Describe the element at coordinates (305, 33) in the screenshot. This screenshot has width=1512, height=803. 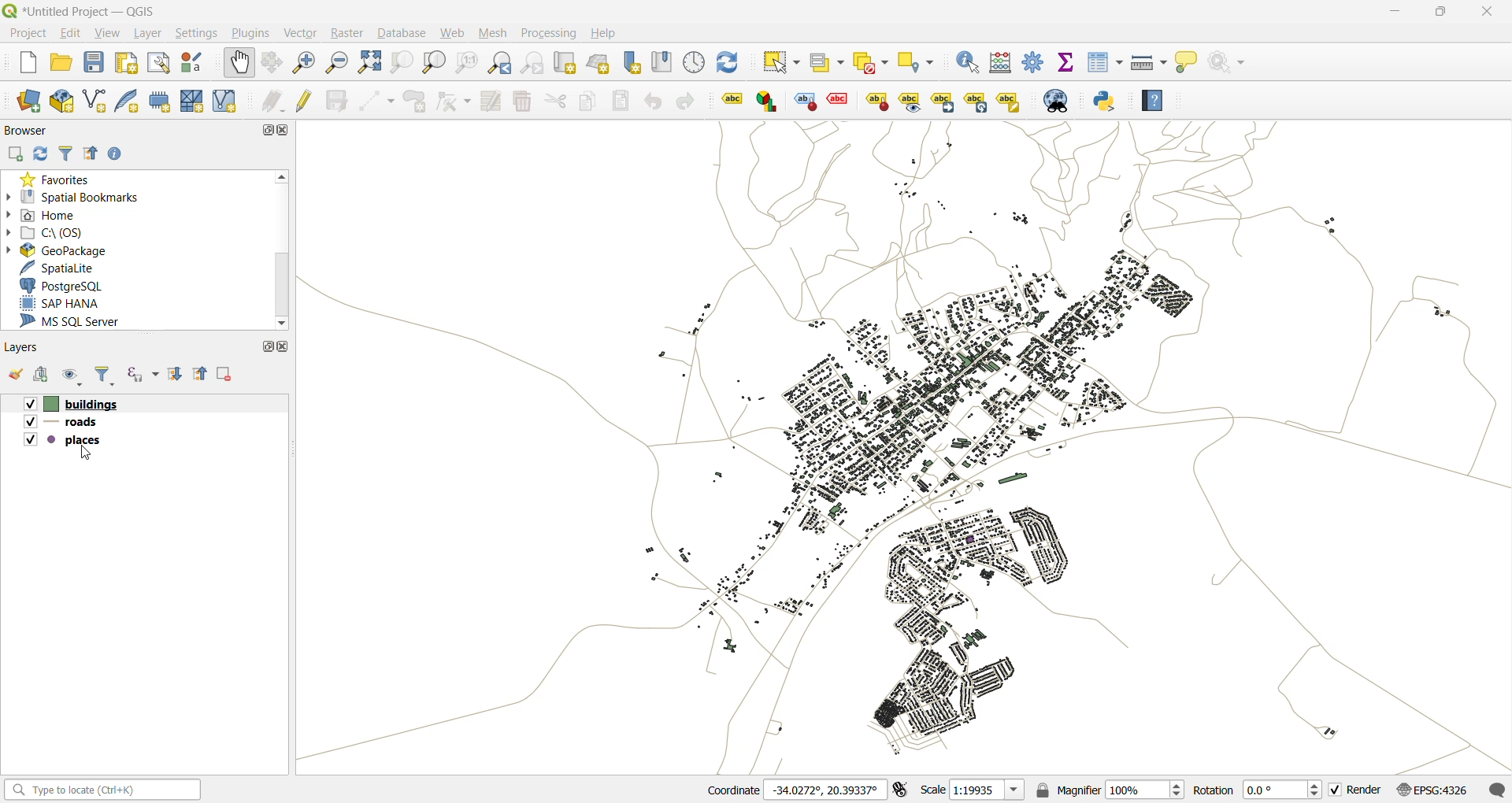
I see `vector` at that location.